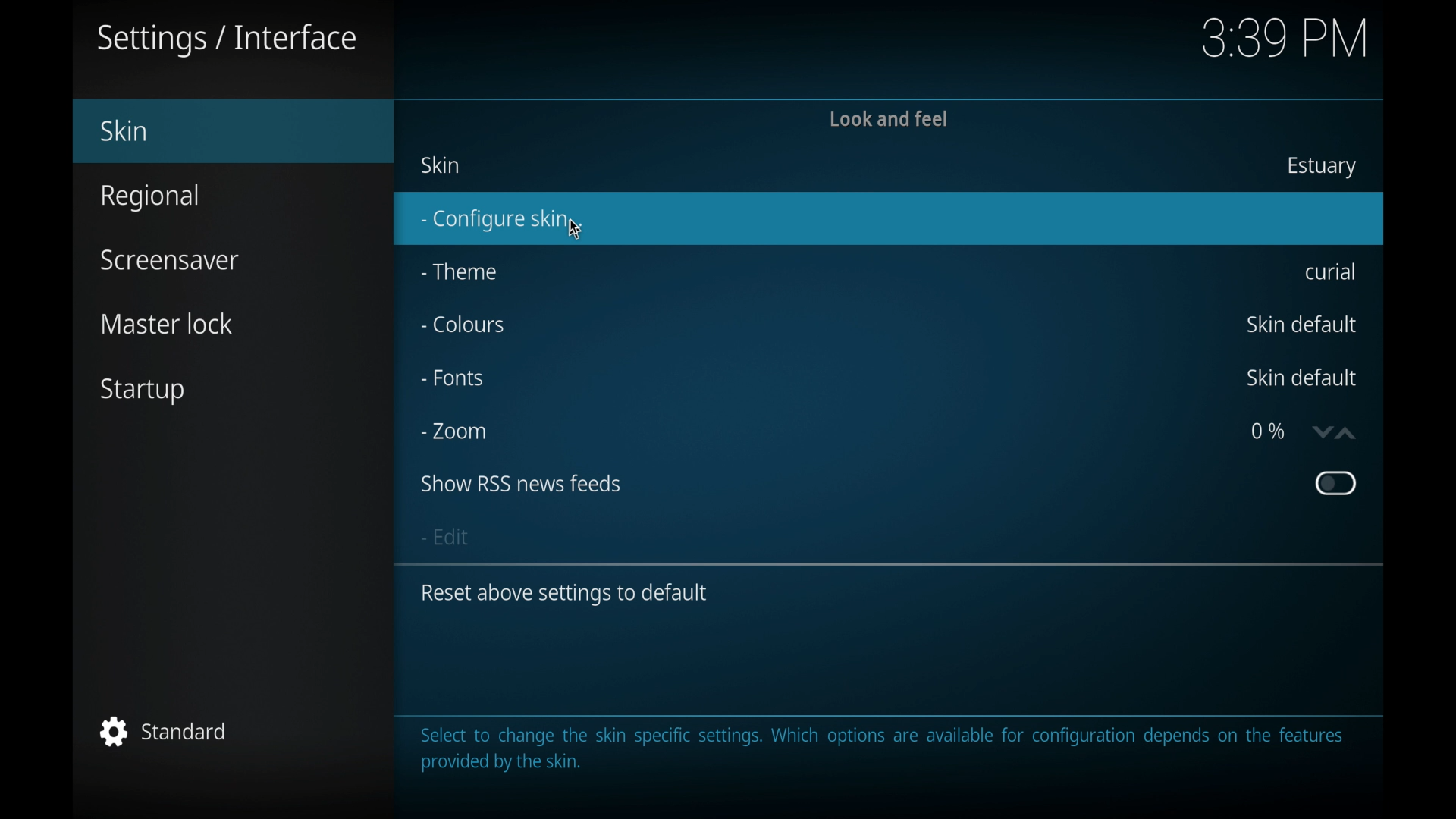 This screenshot has width=1456, height=819. I want to click on 0%, so click(1268, 431).